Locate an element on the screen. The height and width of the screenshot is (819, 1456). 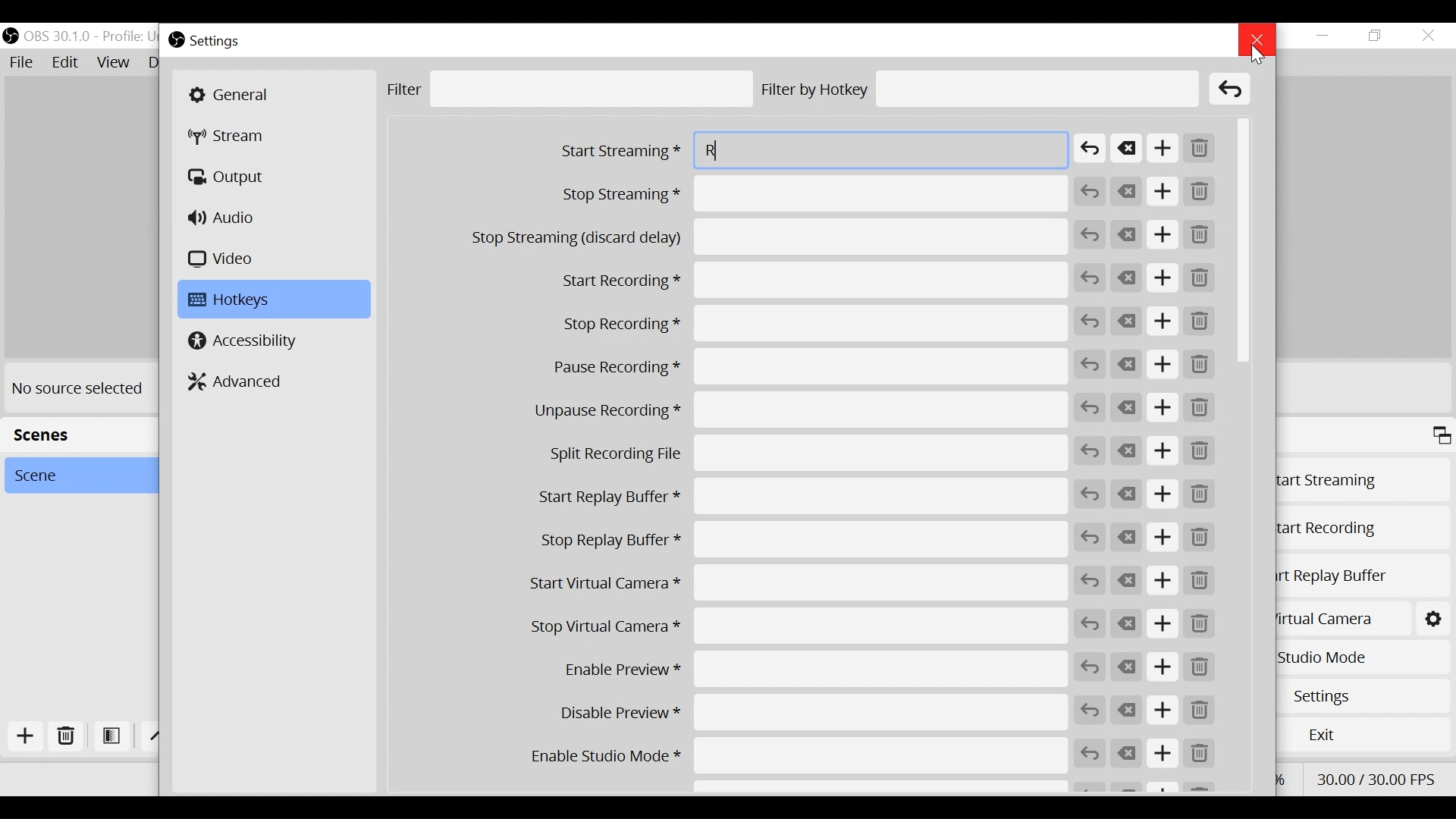
Add is located at coordinates (28, 736).